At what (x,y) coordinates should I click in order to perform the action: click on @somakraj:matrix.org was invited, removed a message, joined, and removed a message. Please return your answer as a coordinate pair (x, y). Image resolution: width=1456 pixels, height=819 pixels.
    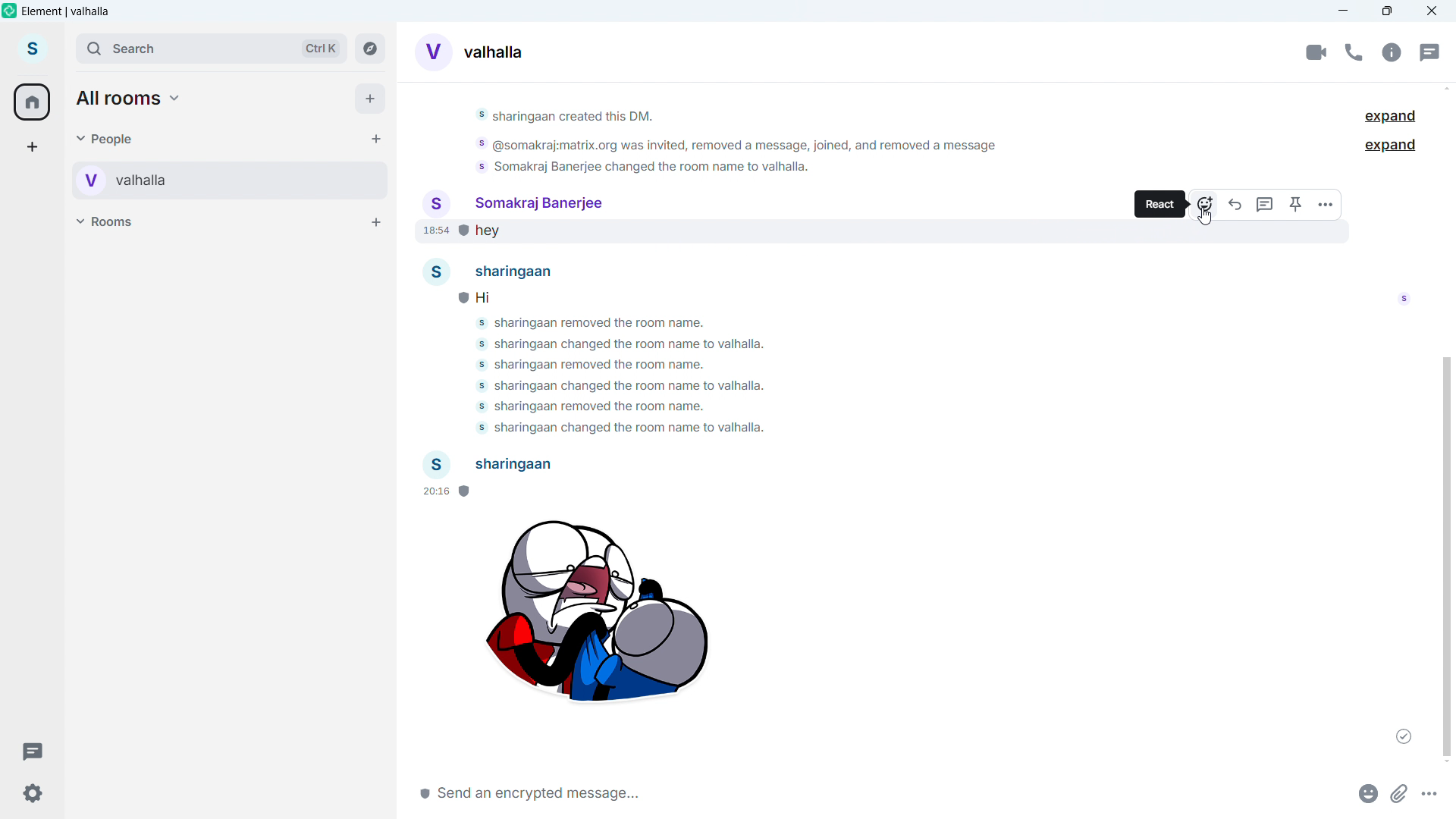
    Looking at the image, I should click on (736, 147).